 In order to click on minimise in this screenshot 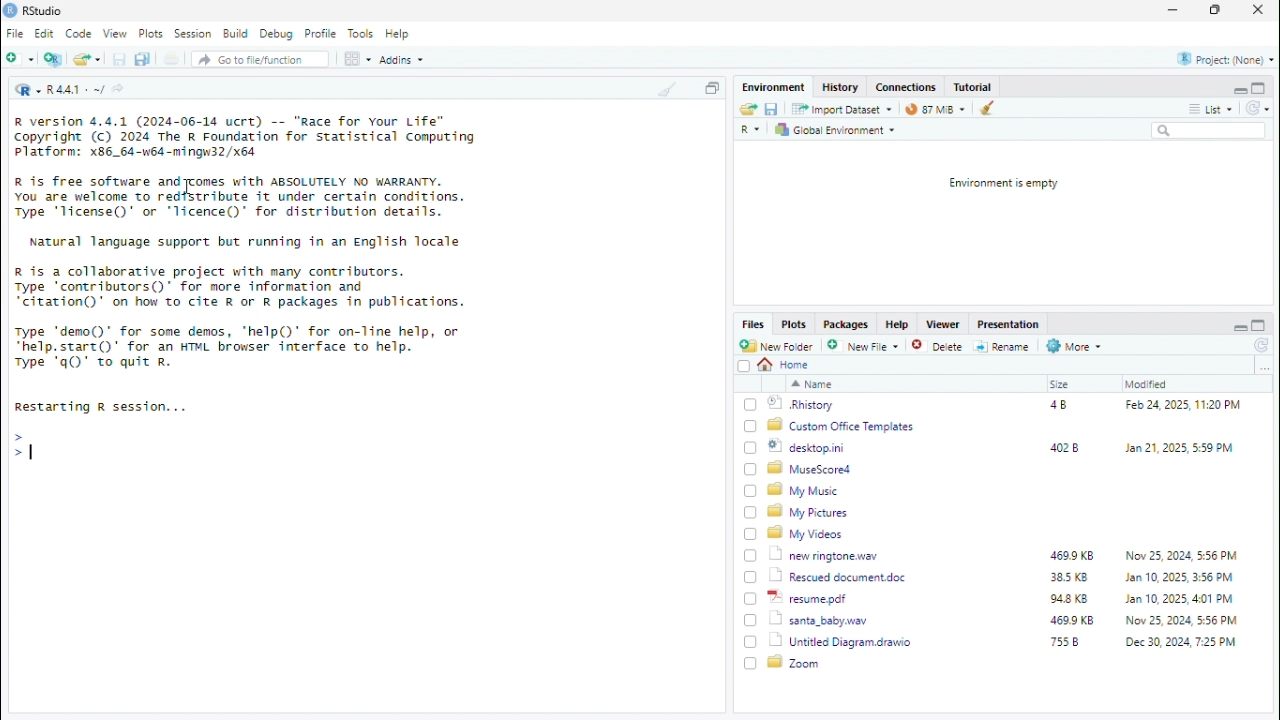, I will do `click(1239, 90)`.